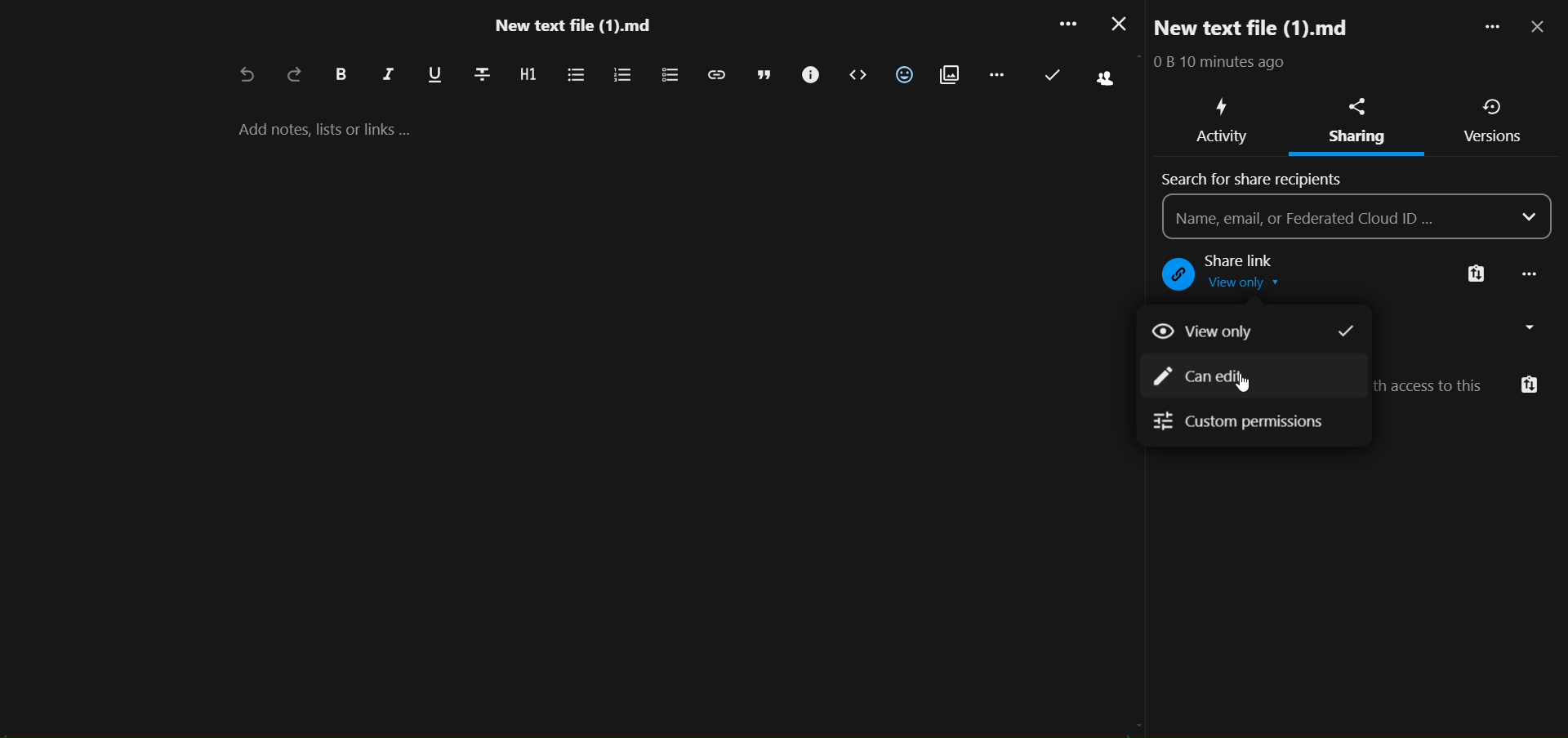 The height and width of the screenshot is (738, 1568). Describe the element at coordinates (1535, 327) in the screenshot. I see `dropdown` at that location.